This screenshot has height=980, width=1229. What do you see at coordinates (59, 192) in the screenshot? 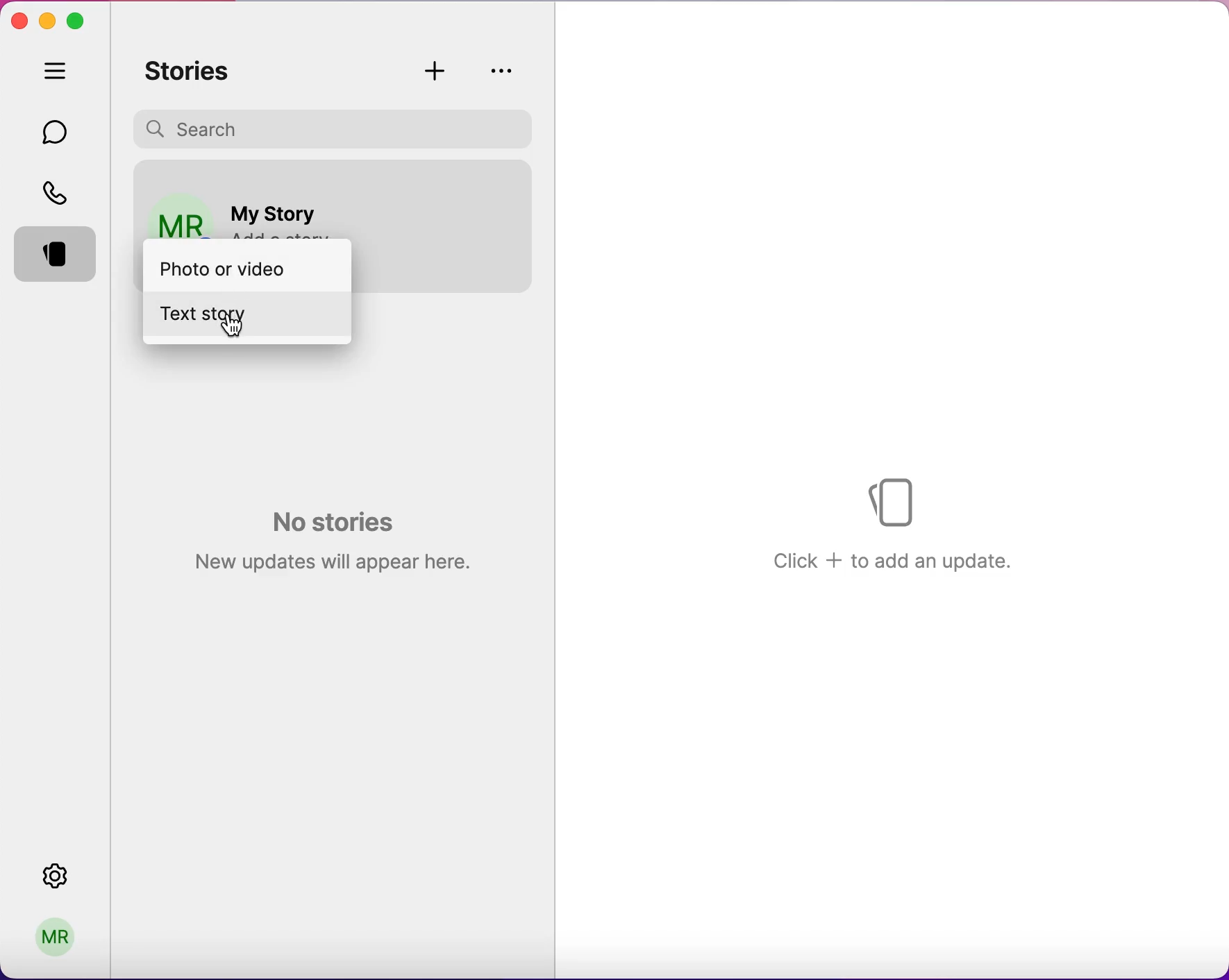
I see `calls` at bounding box center [59, 192].